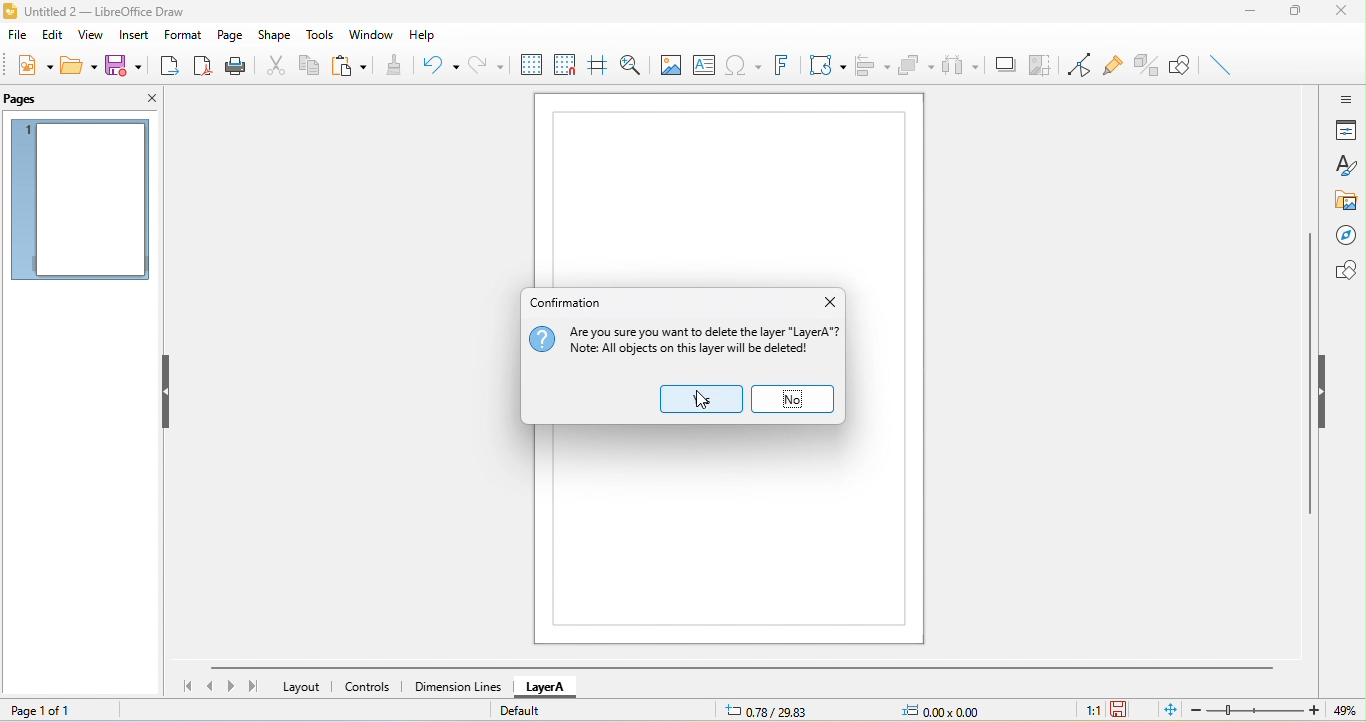  I want to click on page 1 canvas, so click(727, 533).